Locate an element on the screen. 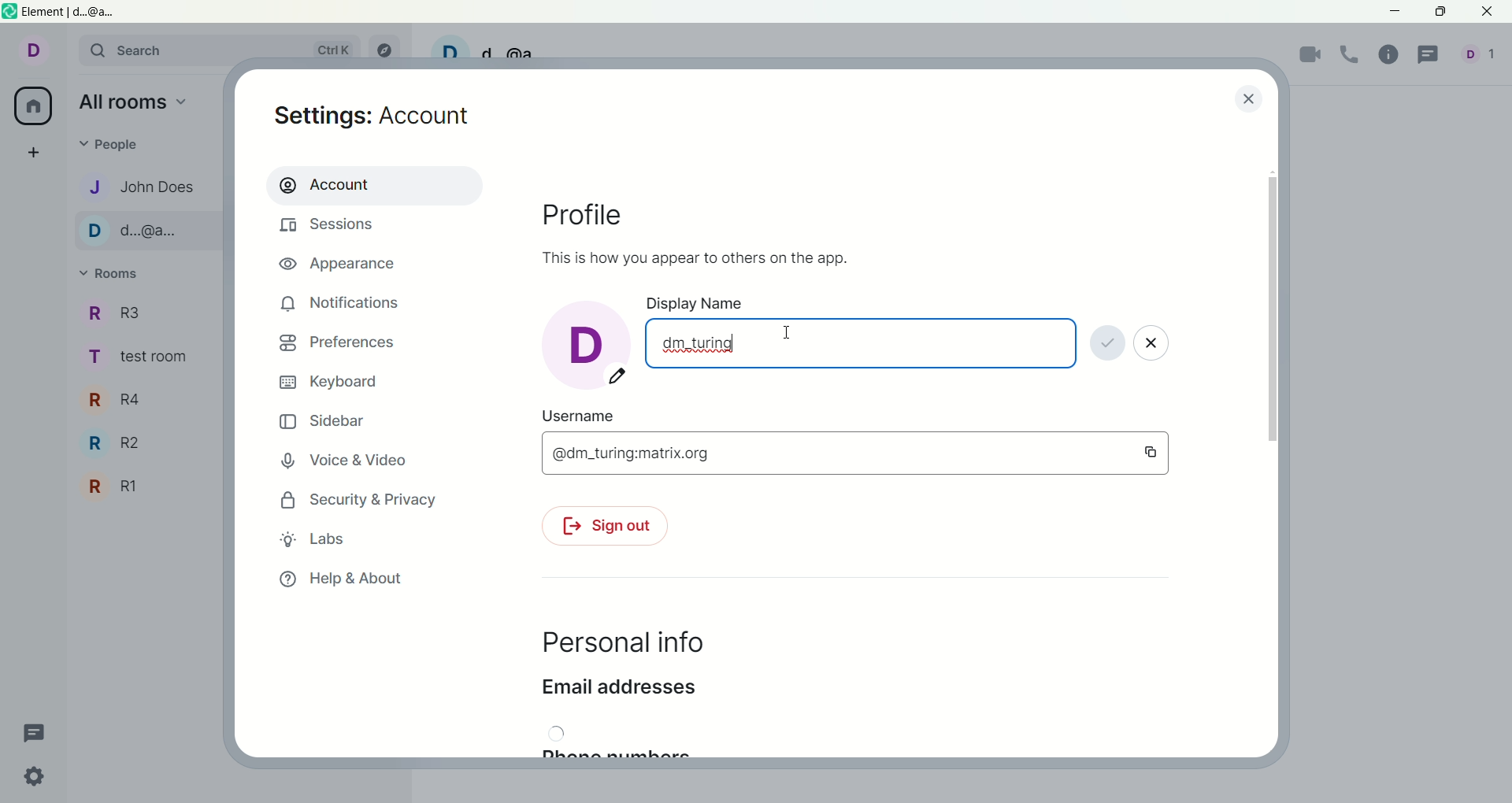 Image resolution: width=1512 pixels, height=803 pixels. R2 is located at coordinates (122, 445).